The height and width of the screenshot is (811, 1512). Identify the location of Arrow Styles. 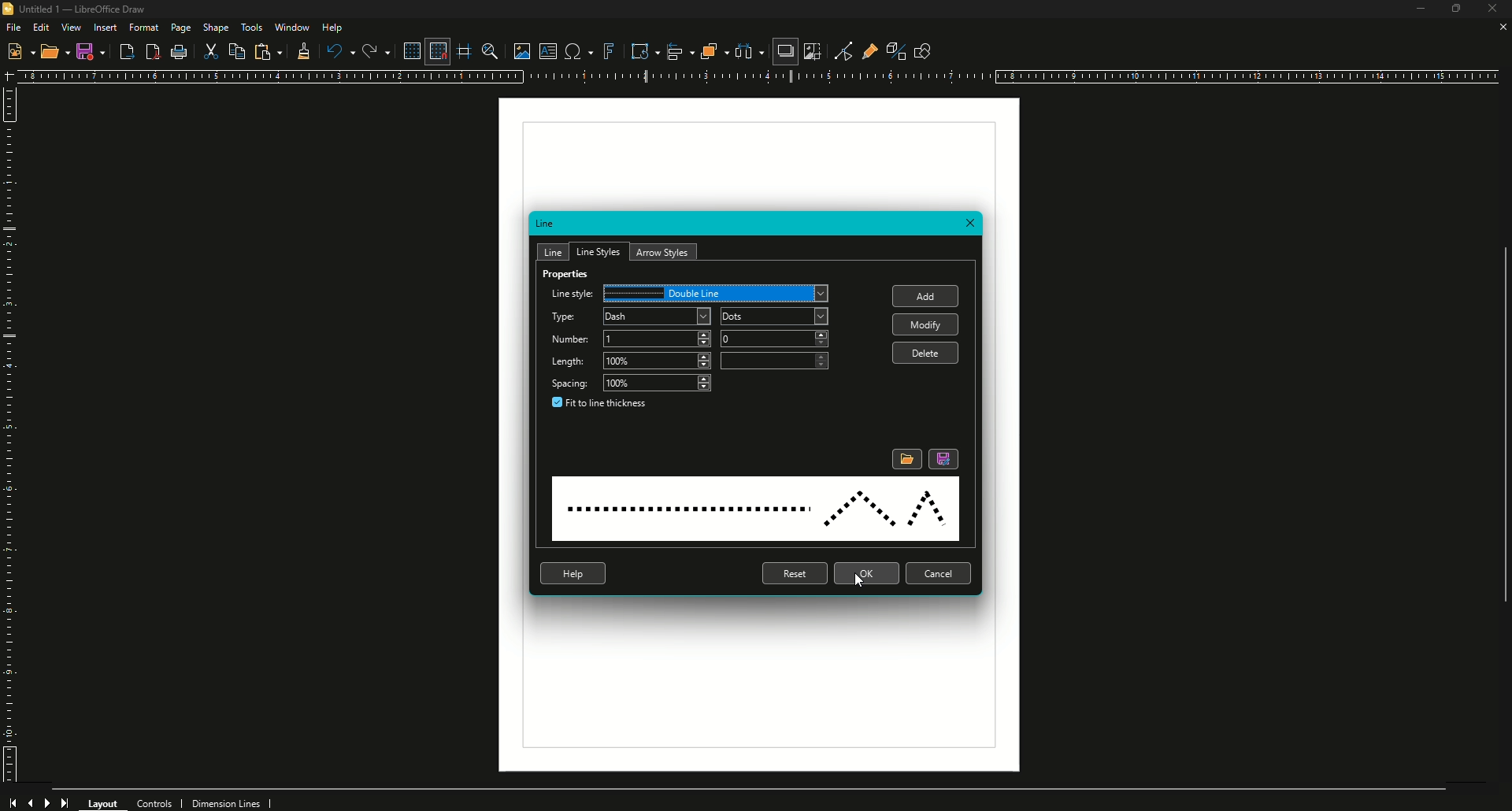
(665, 252).